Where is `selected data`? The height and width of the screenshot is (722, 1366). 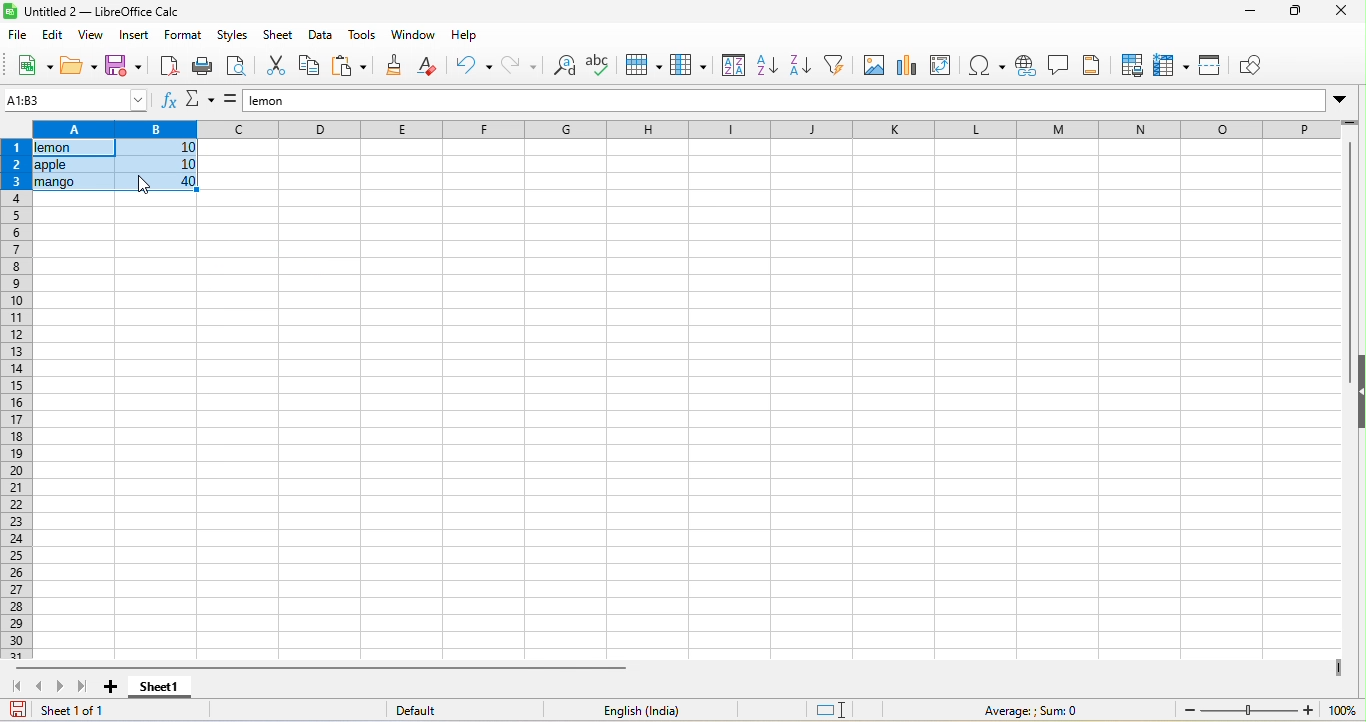 selected data is located at coordinates (116, 166).